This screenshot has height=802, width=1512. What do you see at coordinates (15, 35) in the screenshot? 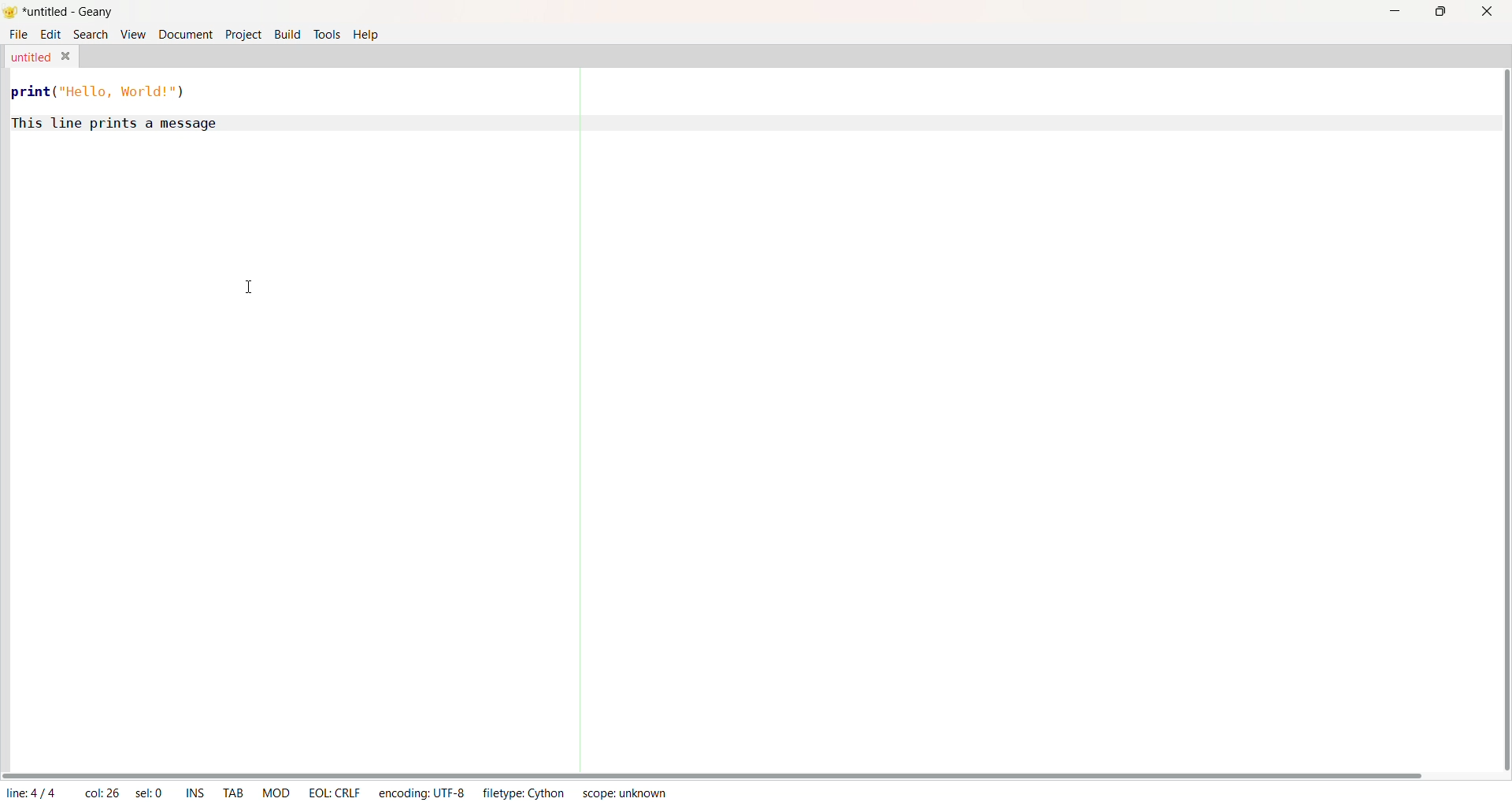
I see `File` at bounding box center [15, 35].